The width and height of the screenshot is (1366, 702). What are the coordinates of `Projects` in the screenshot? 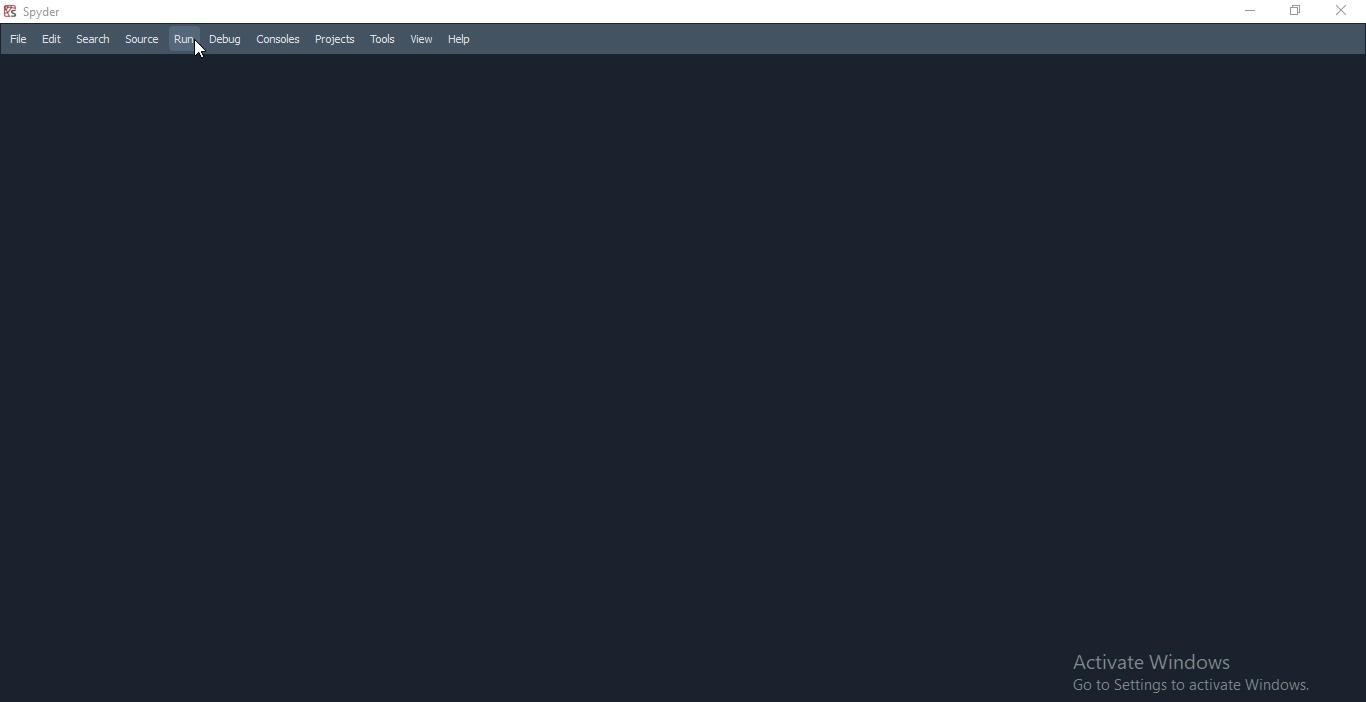 It's located at (333, 40).